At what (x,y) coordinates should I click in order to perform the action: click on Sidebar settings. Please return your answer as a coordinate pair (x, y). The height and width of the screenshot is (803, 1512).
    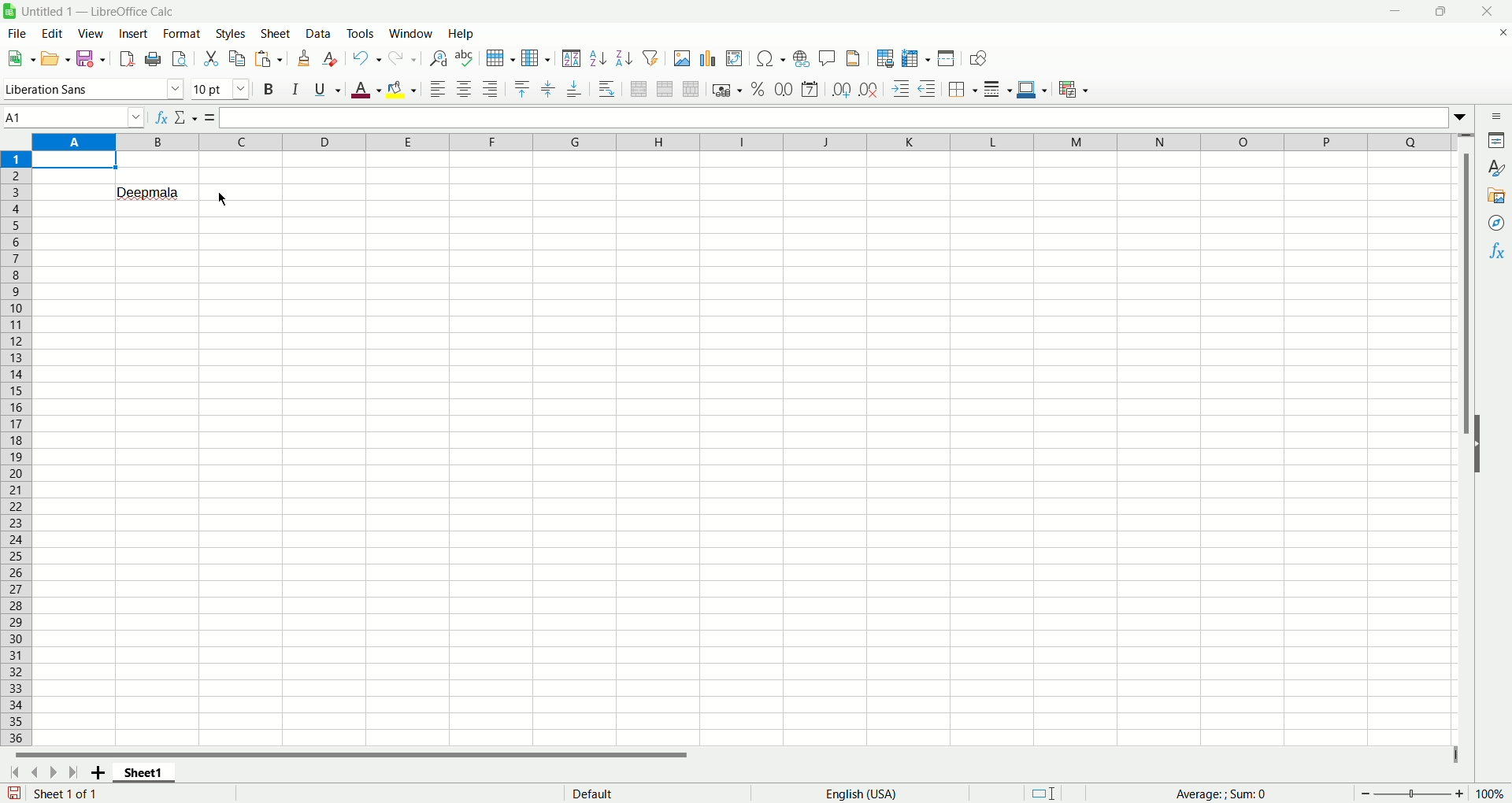
    Looking at the image, I should click on (1497, 116).